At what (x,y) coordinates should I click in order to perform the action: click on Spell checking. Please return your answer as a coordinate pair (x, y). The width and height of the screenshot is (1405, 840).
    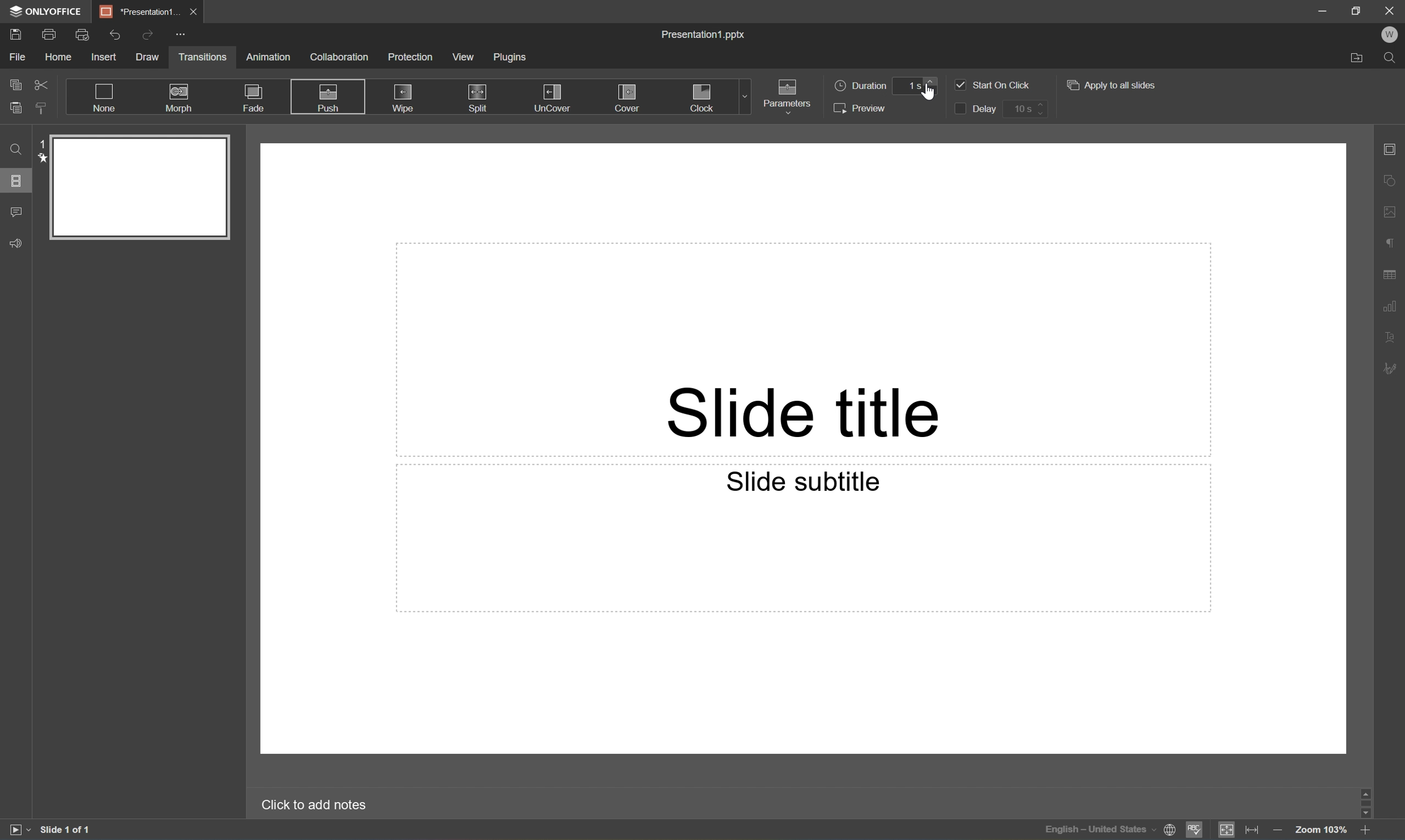
    Looking at the image, I should click on (1194, 830).